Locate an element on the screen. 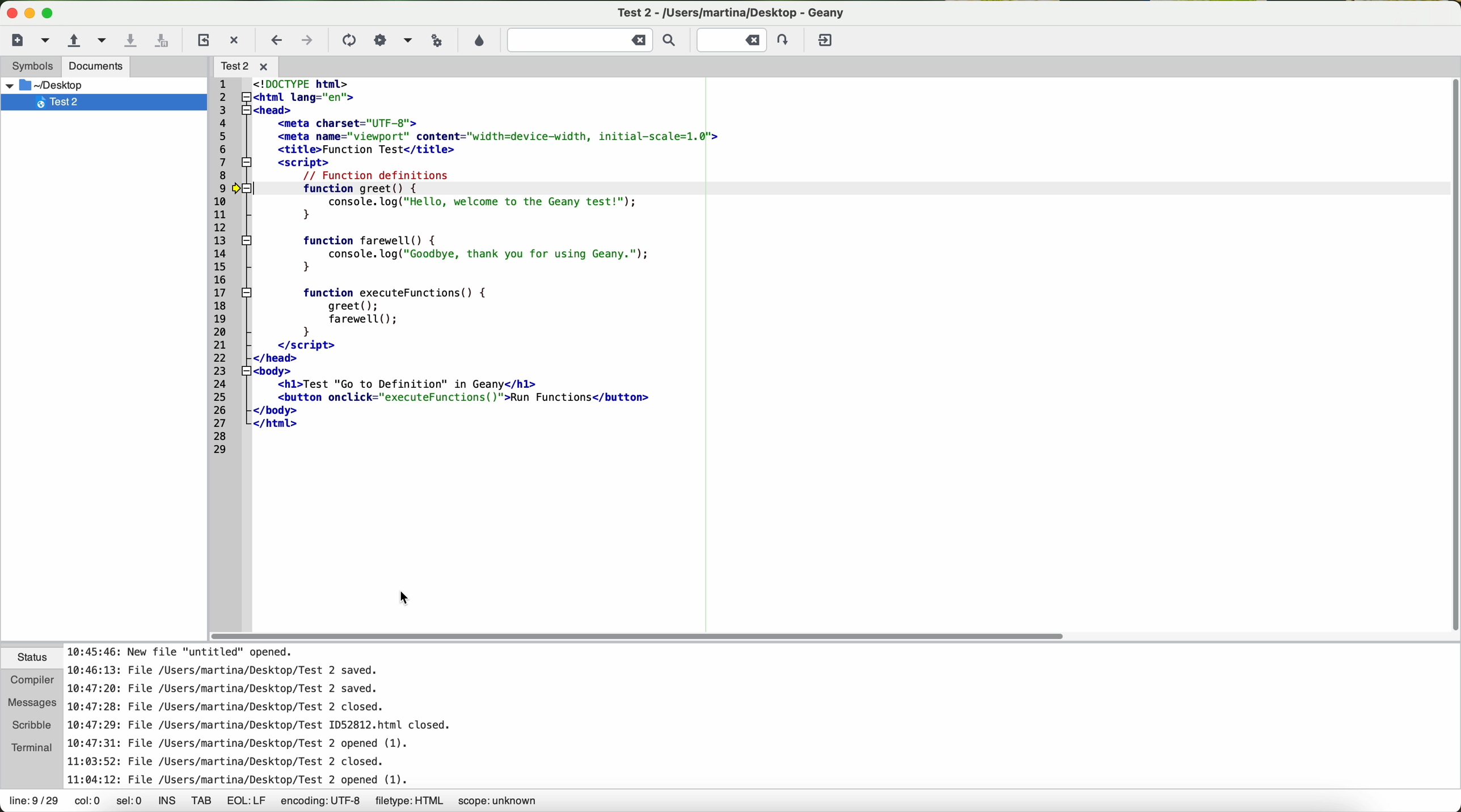 This screenshot has width=1461, height=812. navigate back is located at coordinates (277, 43).